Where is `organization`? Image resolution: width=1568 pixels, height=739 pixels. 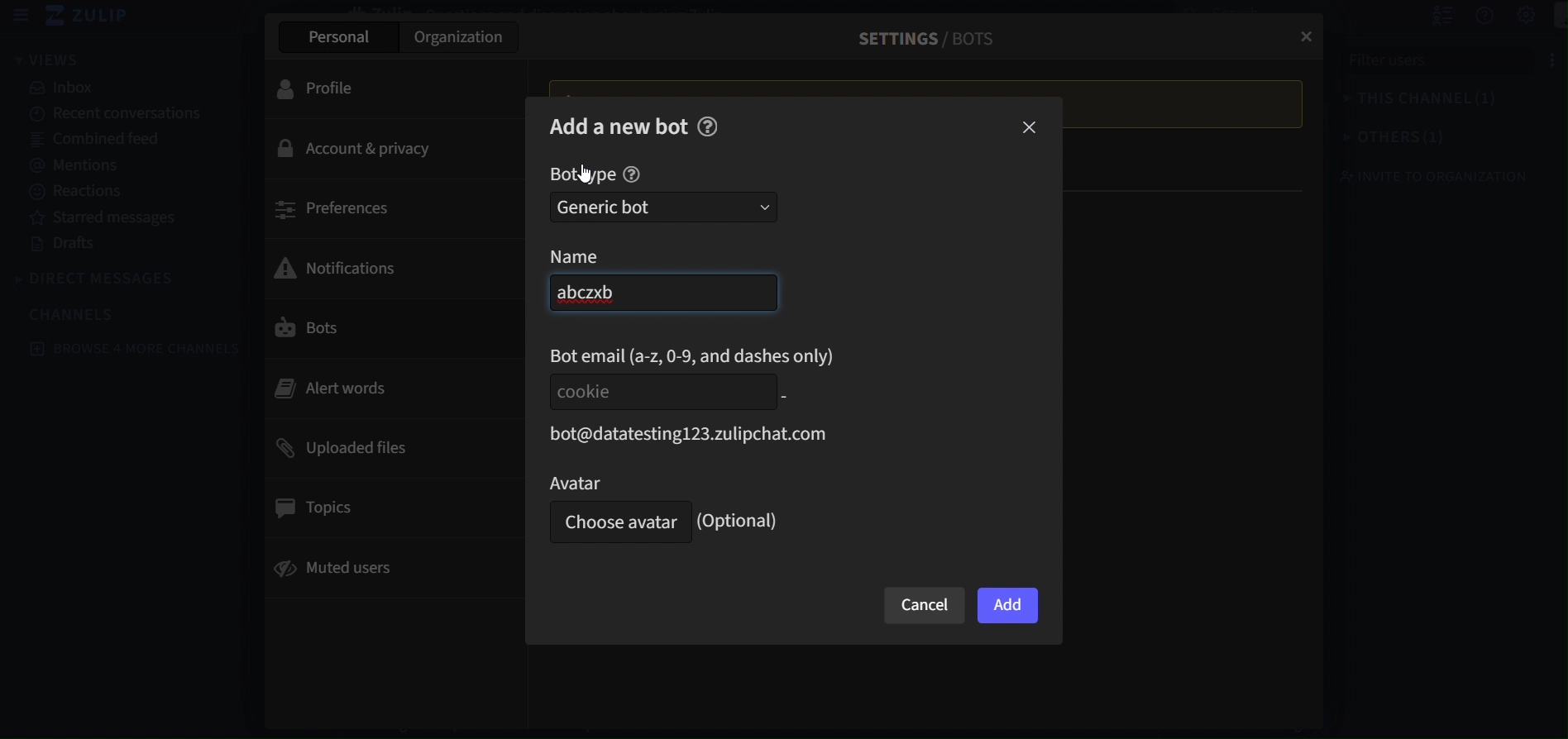 organization is located at coordinates (461, 41).